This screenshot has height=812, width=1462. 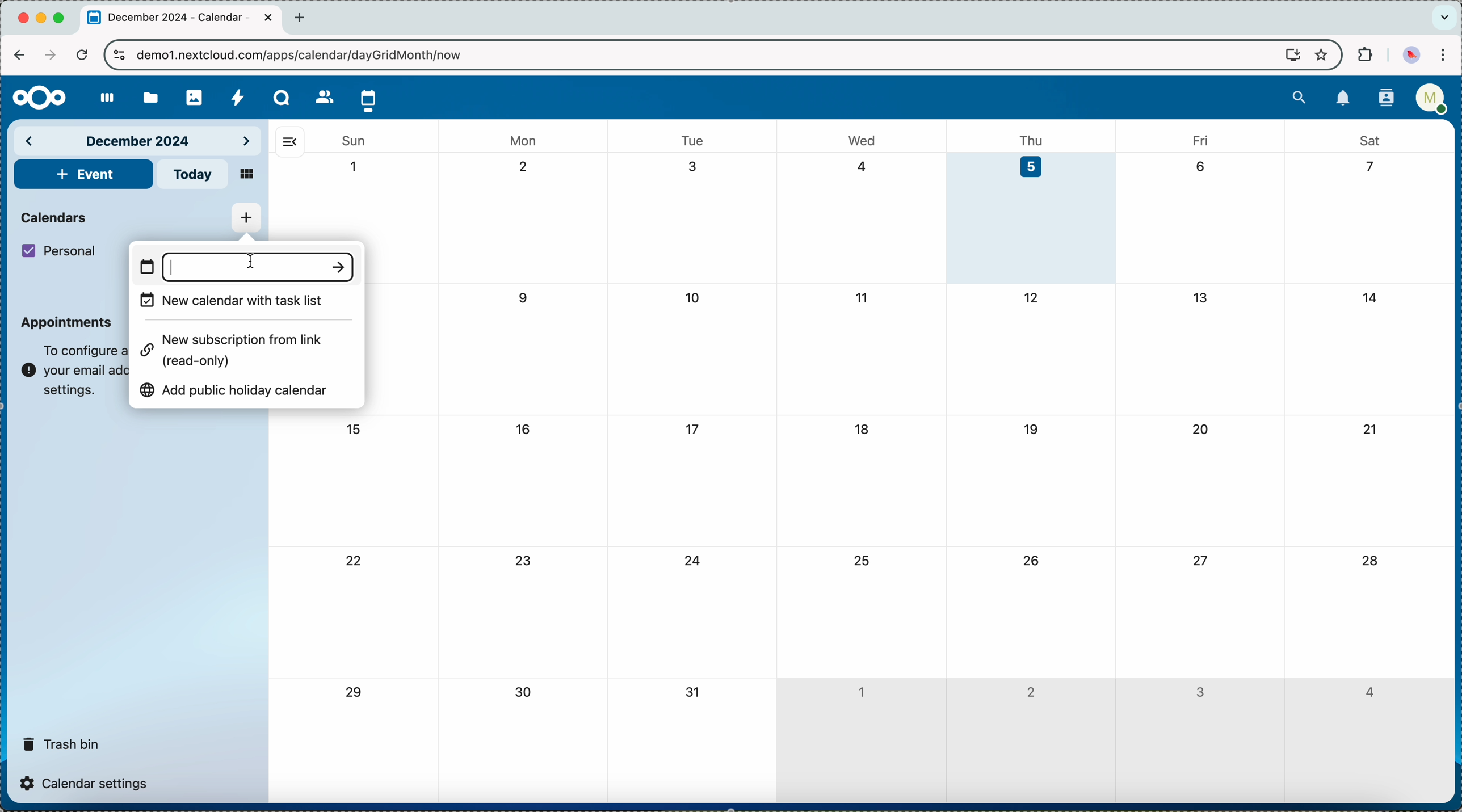 What do you see at coordinates (369, 99) in the screenshot?
I see `click on calendar` at bounding box center [369, 99].